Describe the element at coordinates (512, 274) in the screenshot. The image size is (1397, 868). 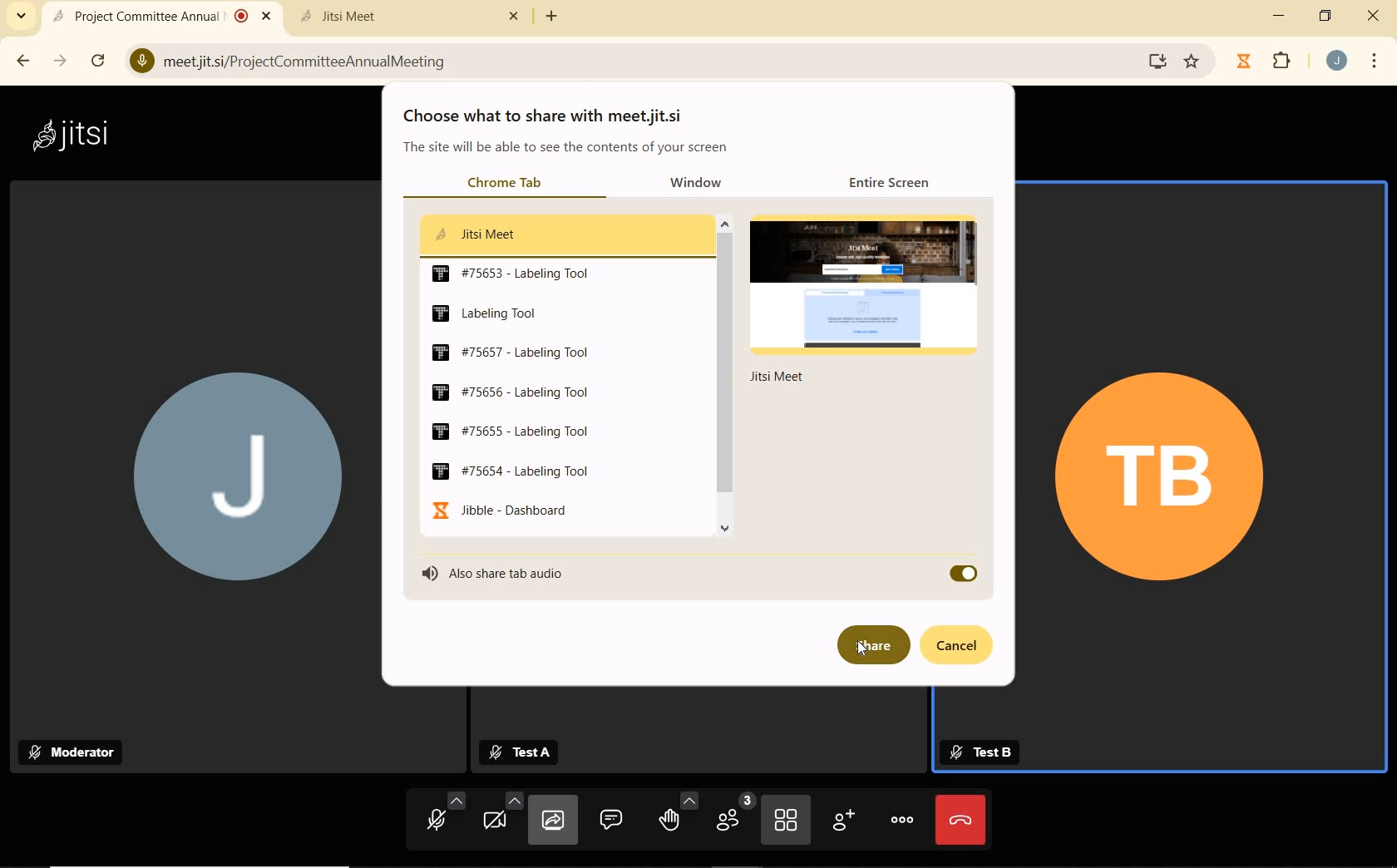
I see `#75653 - Labeling Tool` at that location.